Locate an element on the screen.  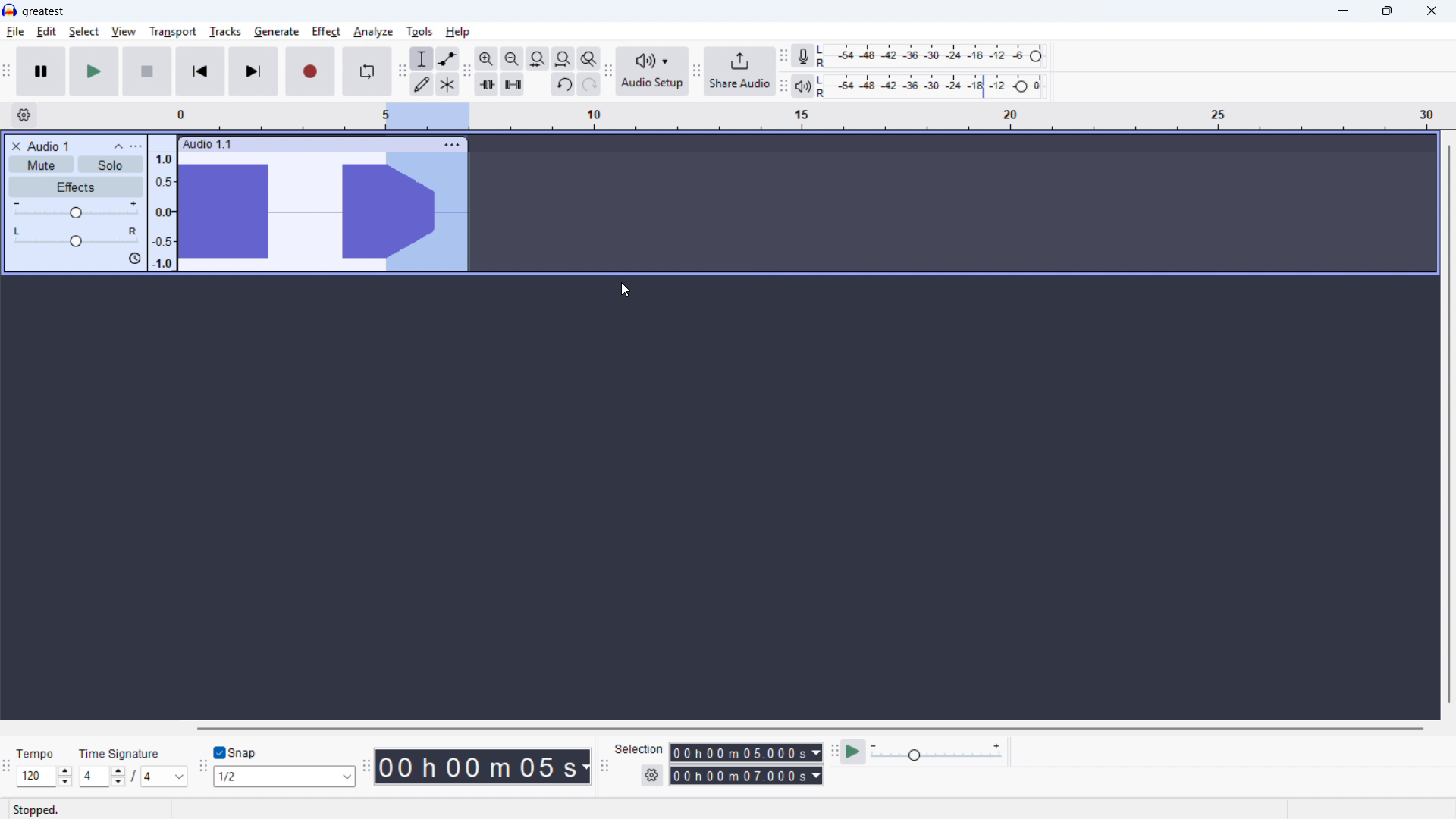
Enable looping  is located at coordinates (367, 71).